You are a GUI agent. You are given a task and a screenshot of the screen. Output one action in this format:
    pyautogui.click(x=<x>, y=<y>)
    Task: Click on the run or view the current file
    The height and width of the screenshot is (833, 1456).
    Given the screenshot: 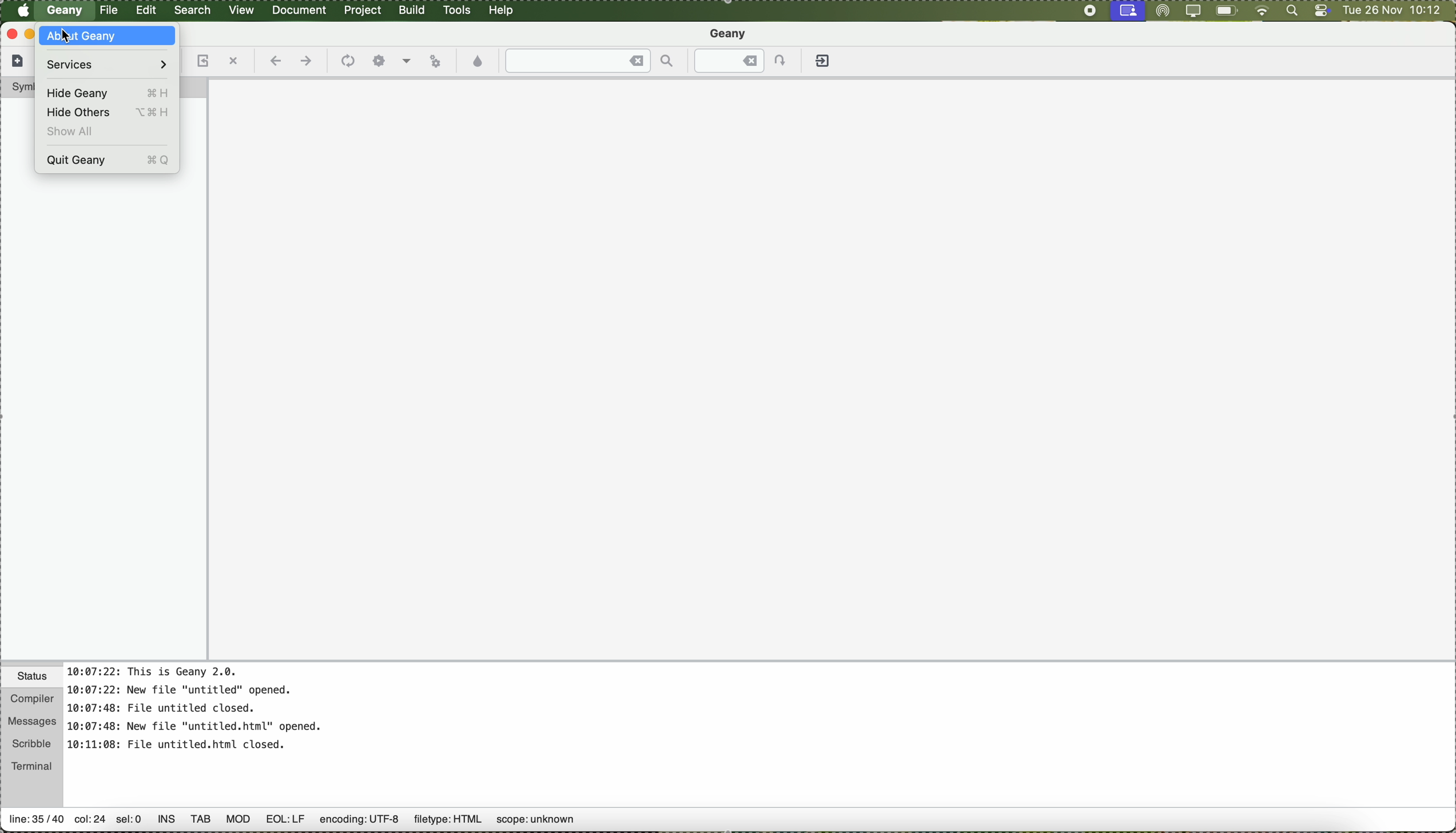 What is the action you would take?
    pyautogui.click(x=439, y=62)
    